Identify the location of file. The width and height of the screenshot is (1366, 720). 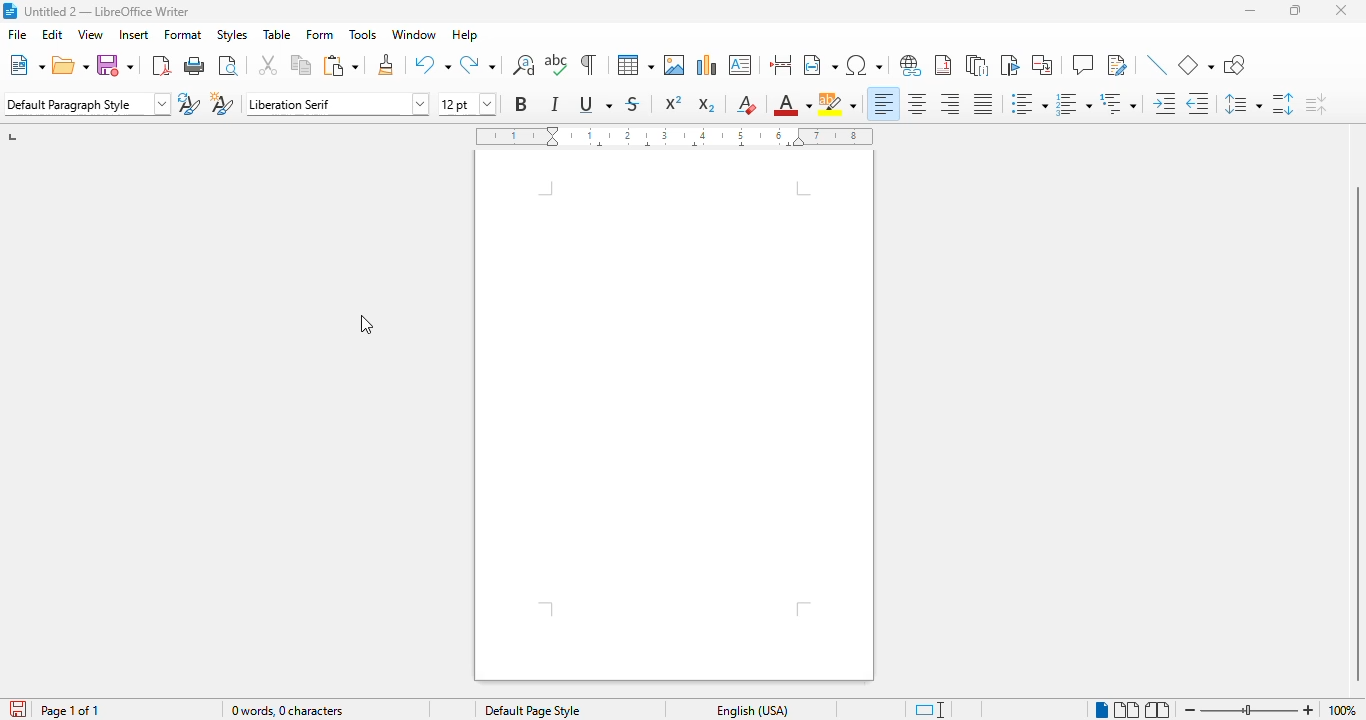
(18, 34).